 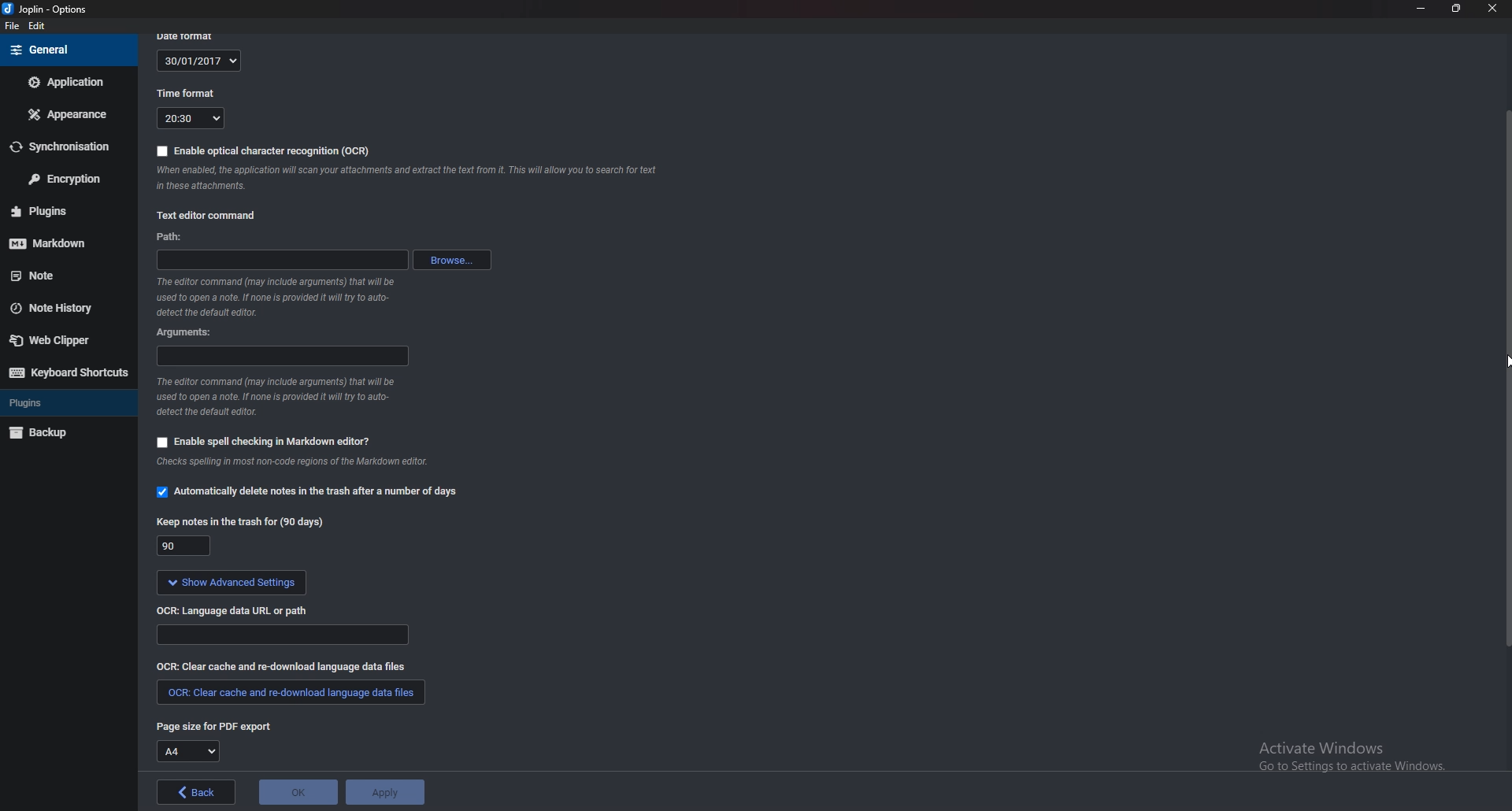 What do you see at coordinates (1342, 751) in the screenshot?
I see `activate windows` at bounding box center [1342, 751].